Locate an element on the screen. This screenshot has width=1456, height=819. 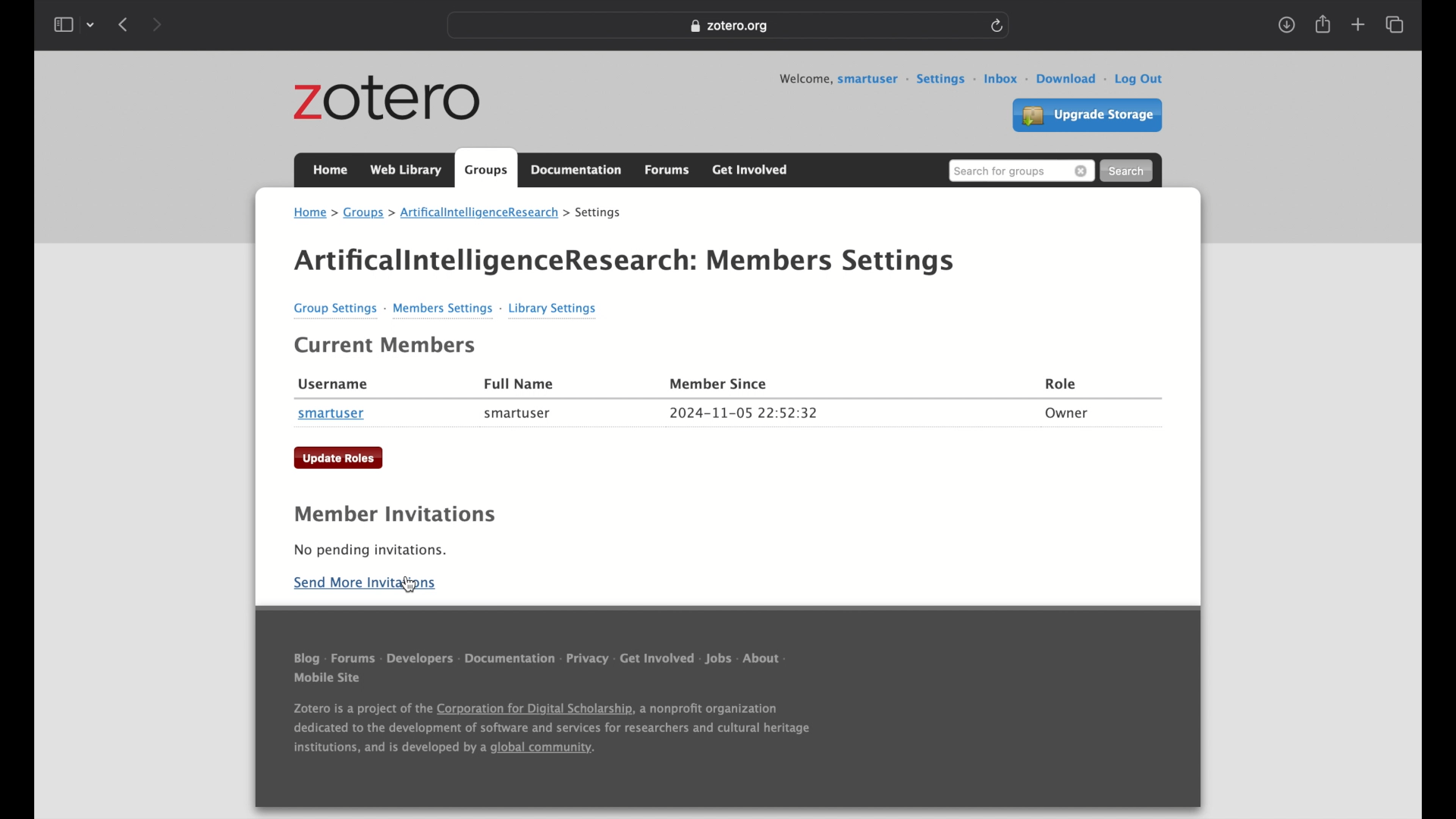
artificialintelligenceresearch is located at coordinates (485, 212).